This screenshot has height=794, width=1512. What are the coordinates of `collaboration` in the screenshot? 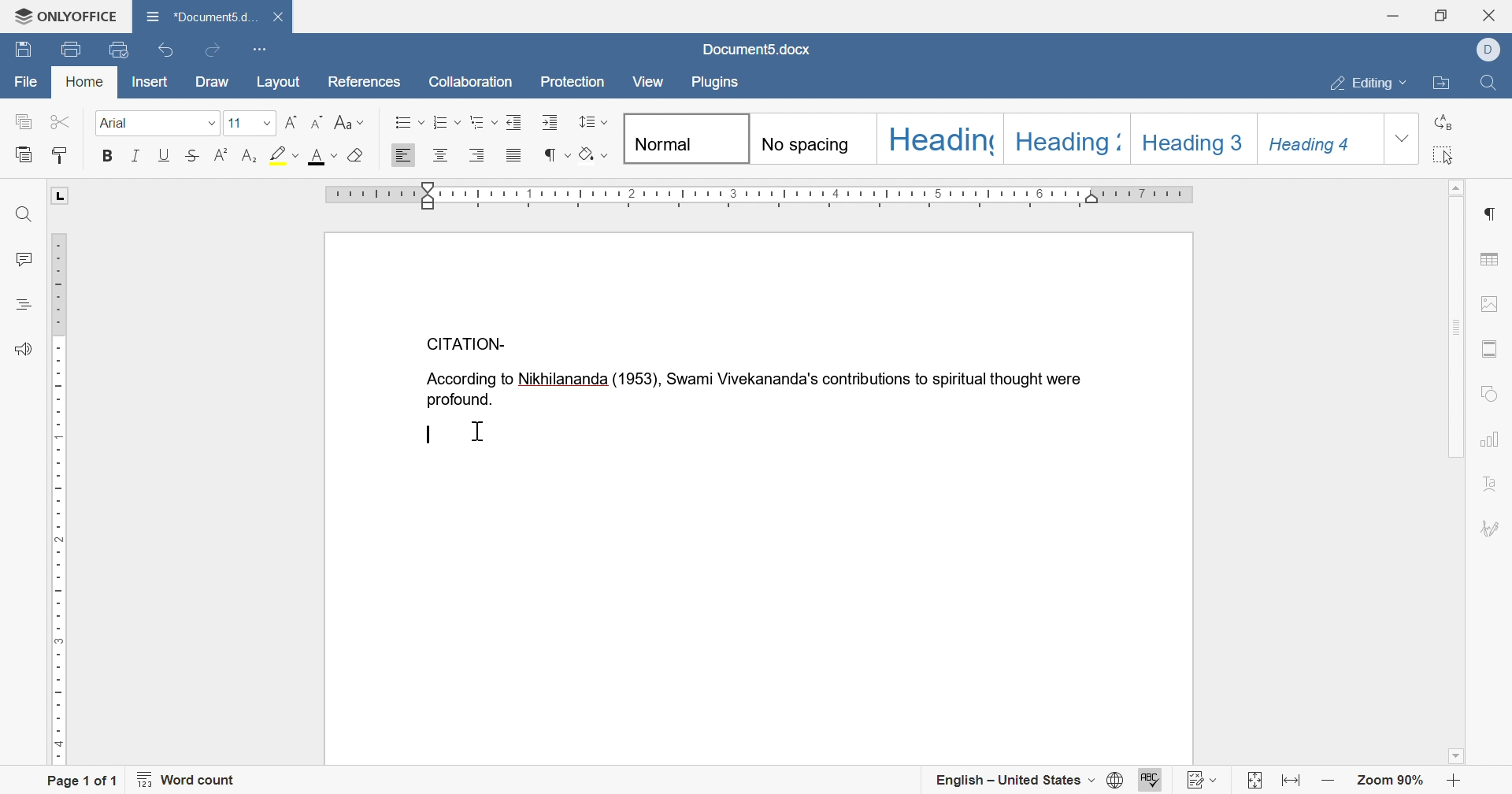 It's located at (471, 83).